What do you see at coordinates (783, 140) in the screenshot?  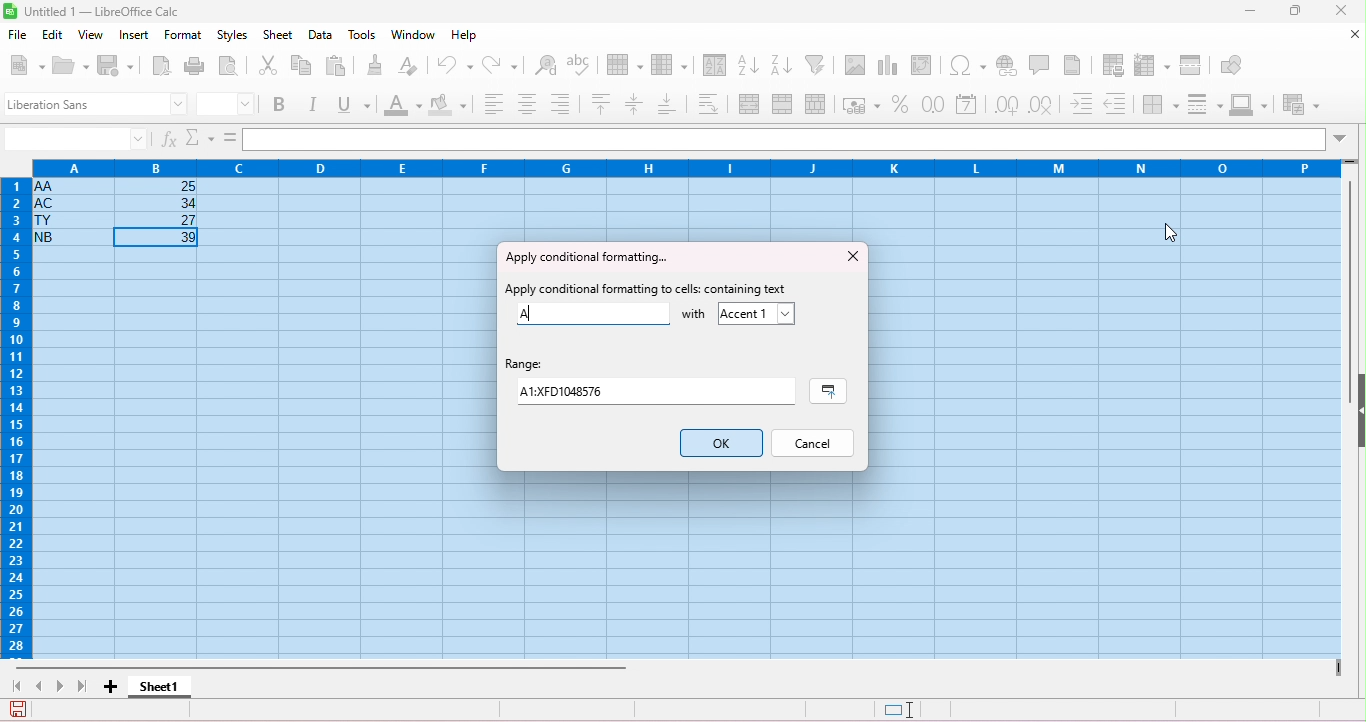 I see `formula bar` at bounding box center [783, 140].